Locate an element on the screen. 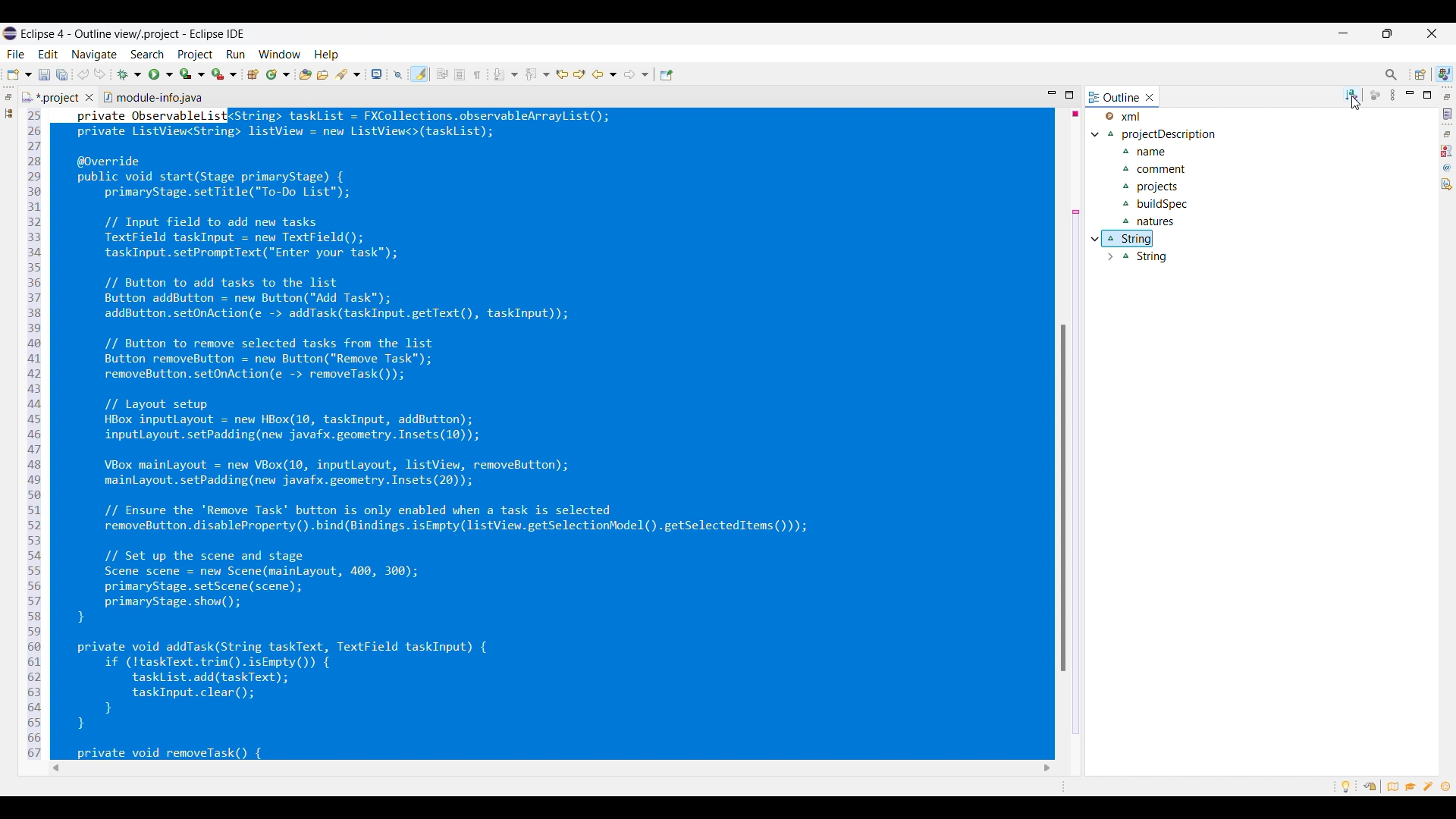 The height and width of the screenshot is (819, 1456). Project name and software name is located at coordinates (133, 34).